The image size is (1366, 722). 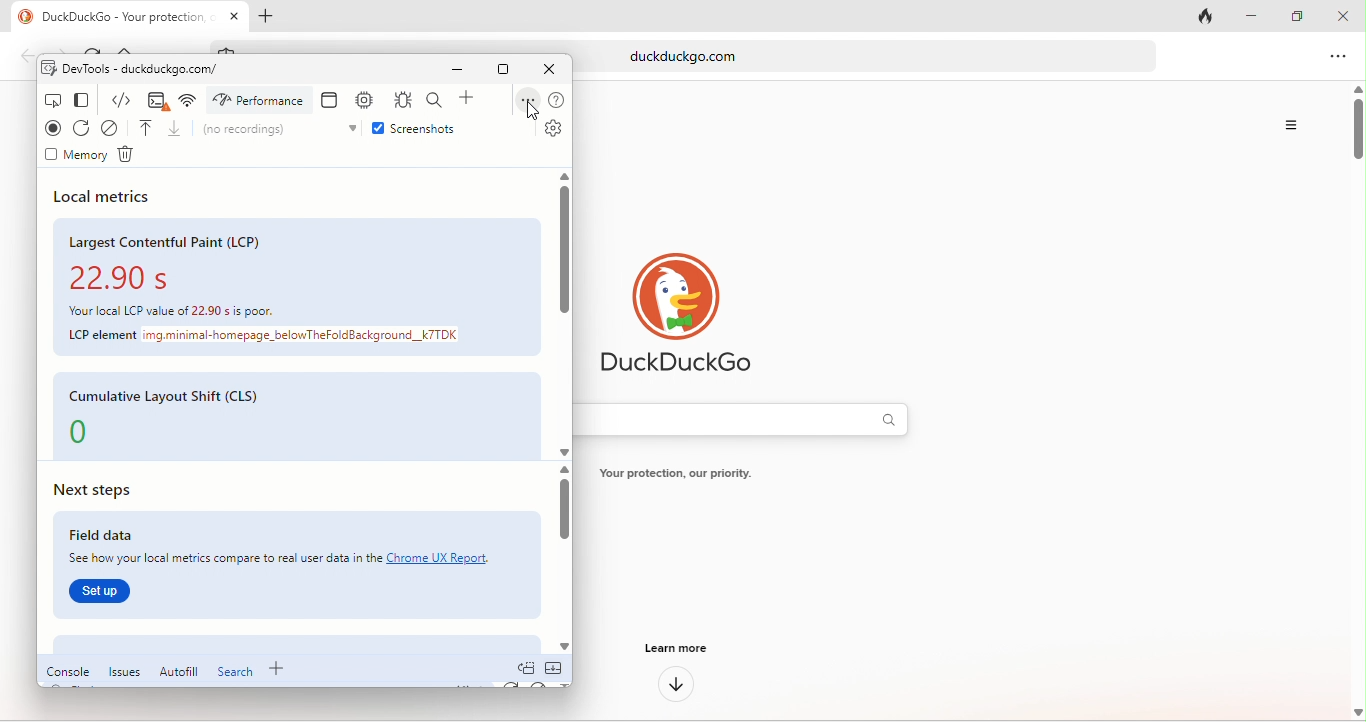 What do you see at coordinates (563, 511) in the screenshot?
I see `vertical scroll bar` at bounding box center [563, 511].